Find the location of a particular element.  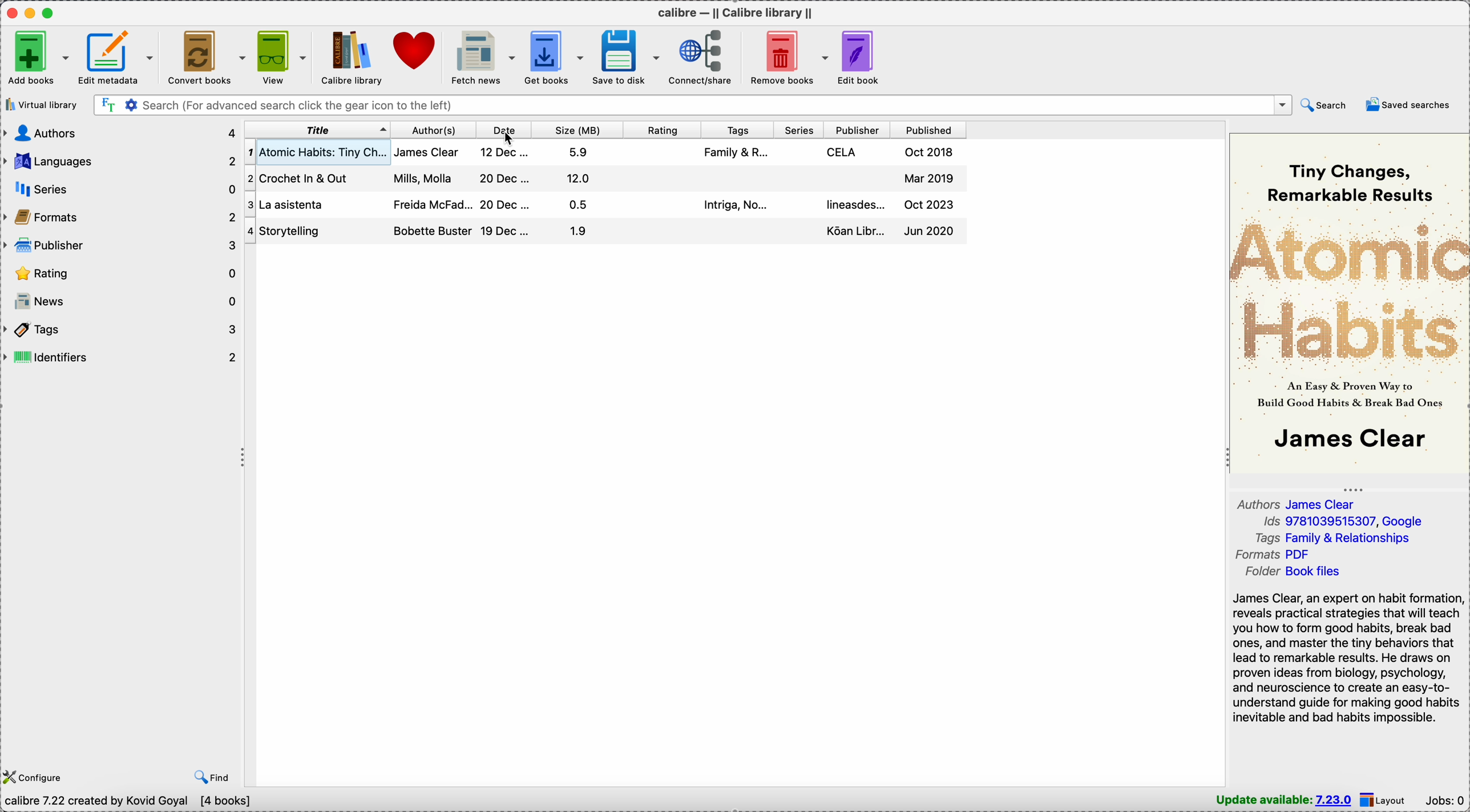

tags Family & Relationships is located at coordinates (1333, 538).